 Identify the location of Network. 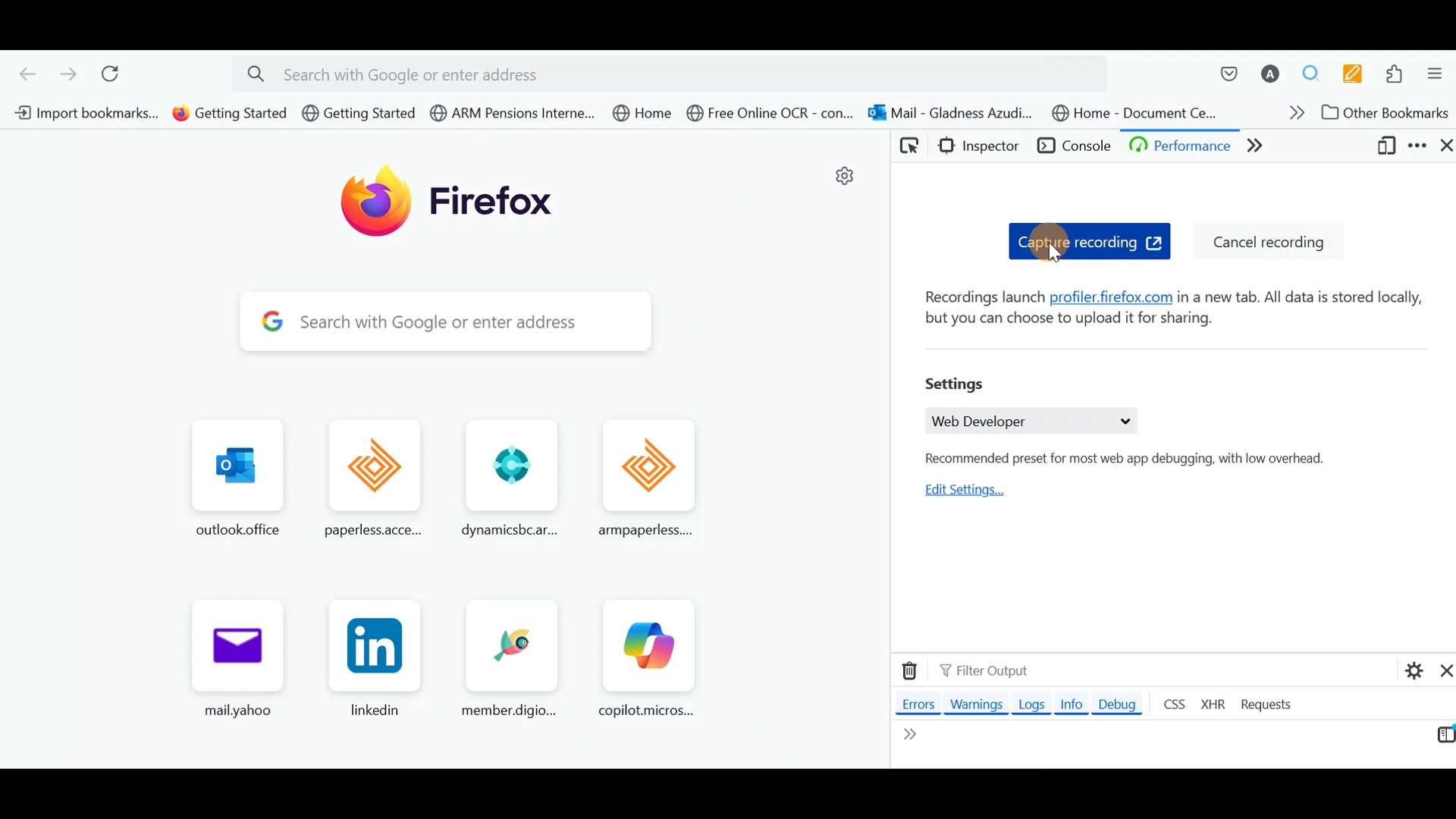
(1269, 148).